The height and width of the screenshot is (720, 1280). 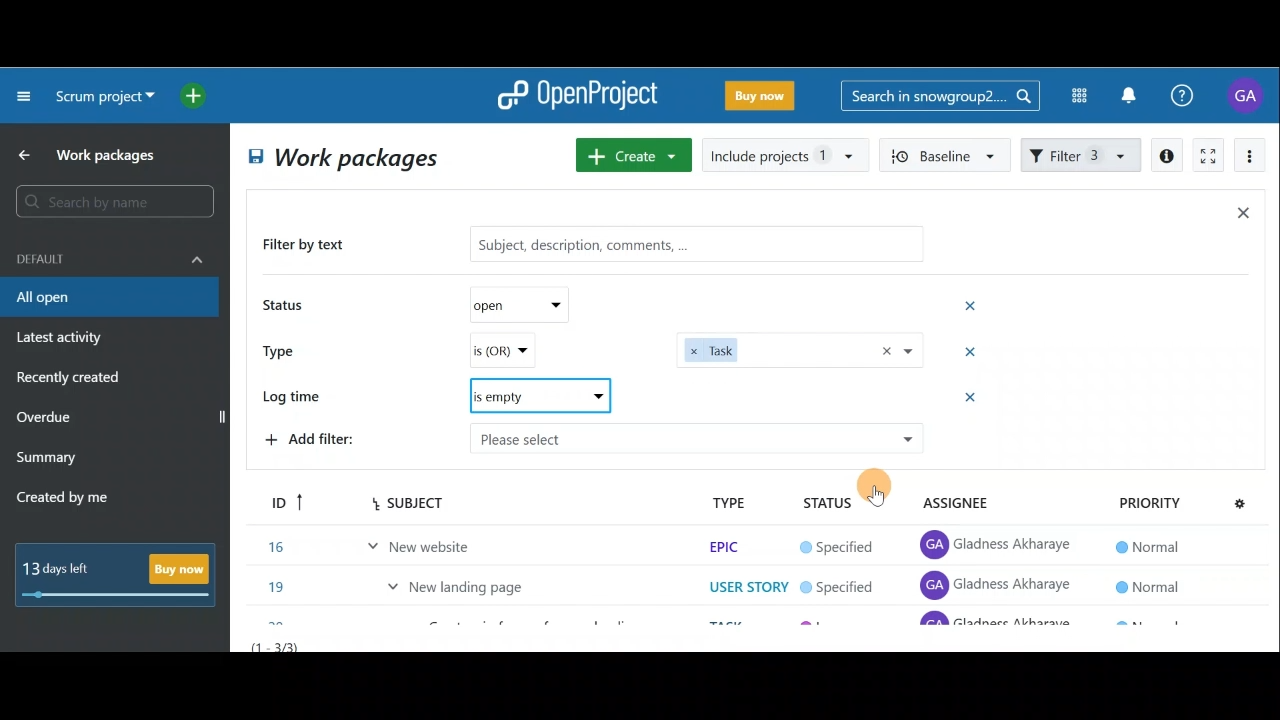 What do you see at coordinates (758, 395) in the screenshot?
I see `` at bounding box center [758, 395].